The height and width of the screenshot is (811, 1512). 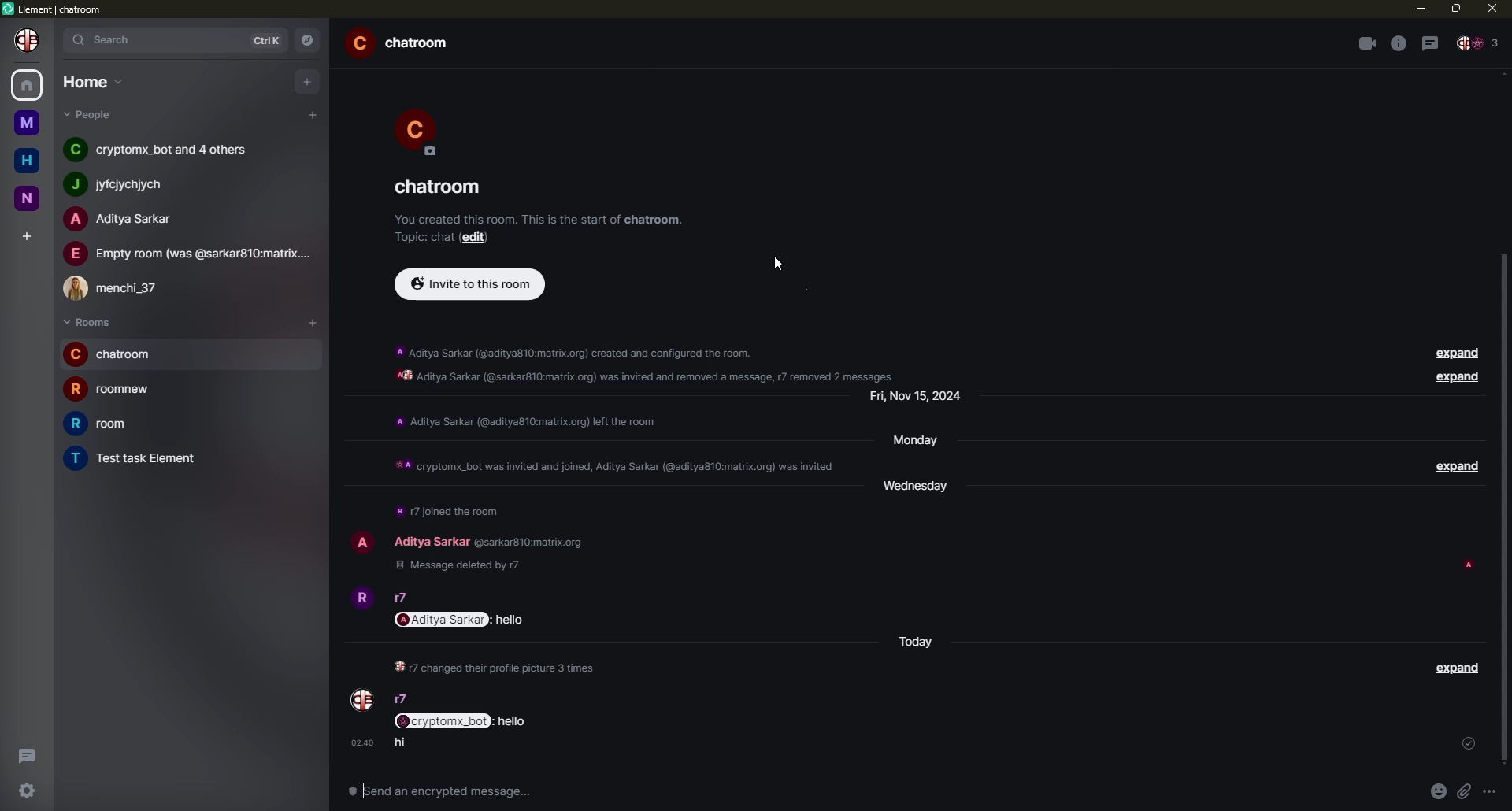 What do you see at coordinates (1418, 9) in the screenshot?
I see `min` at bounding box center [1418, 9].